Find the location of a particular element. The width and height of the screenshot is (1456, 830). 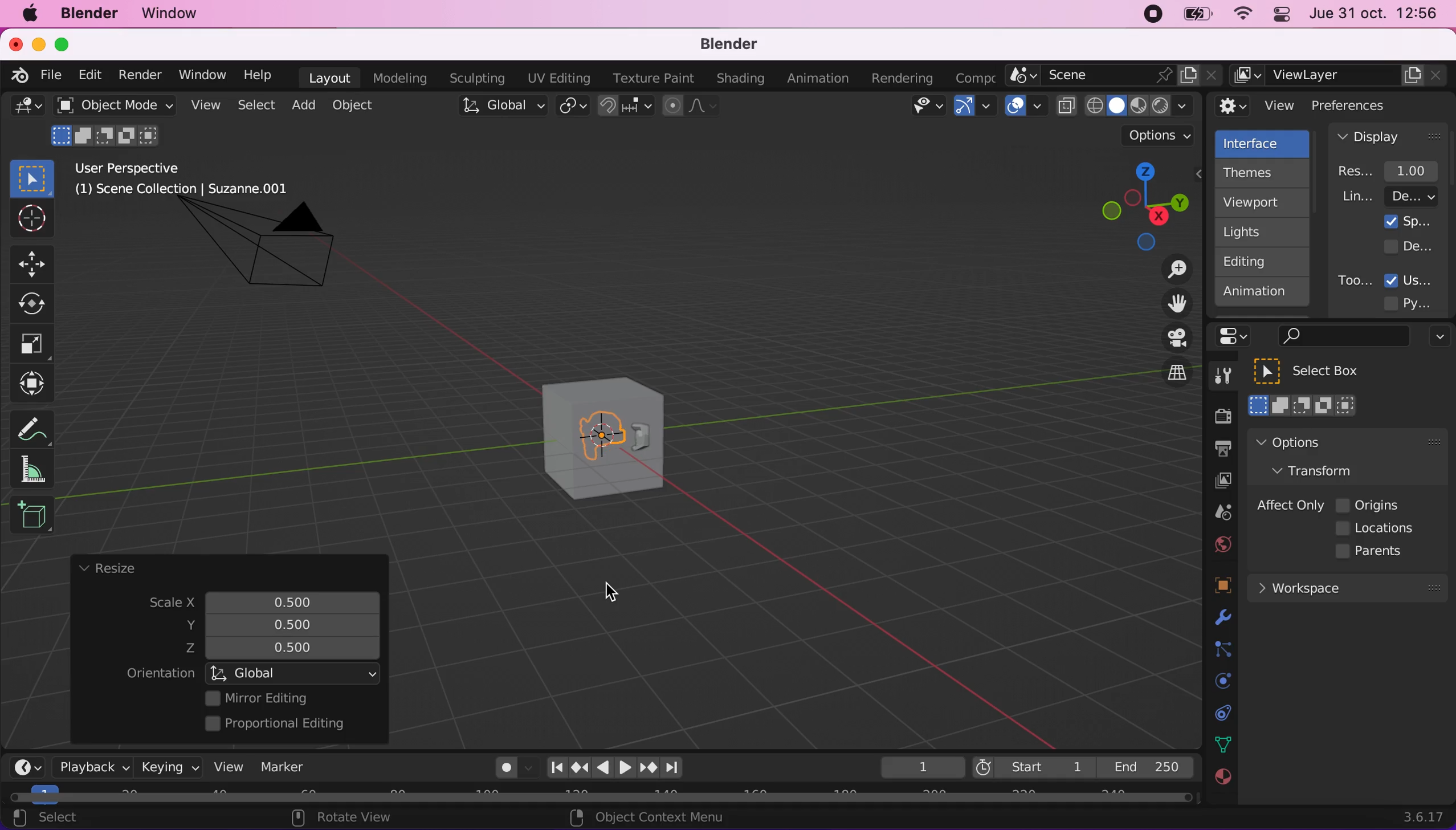

keyframe is located at coordinates (921, 768).